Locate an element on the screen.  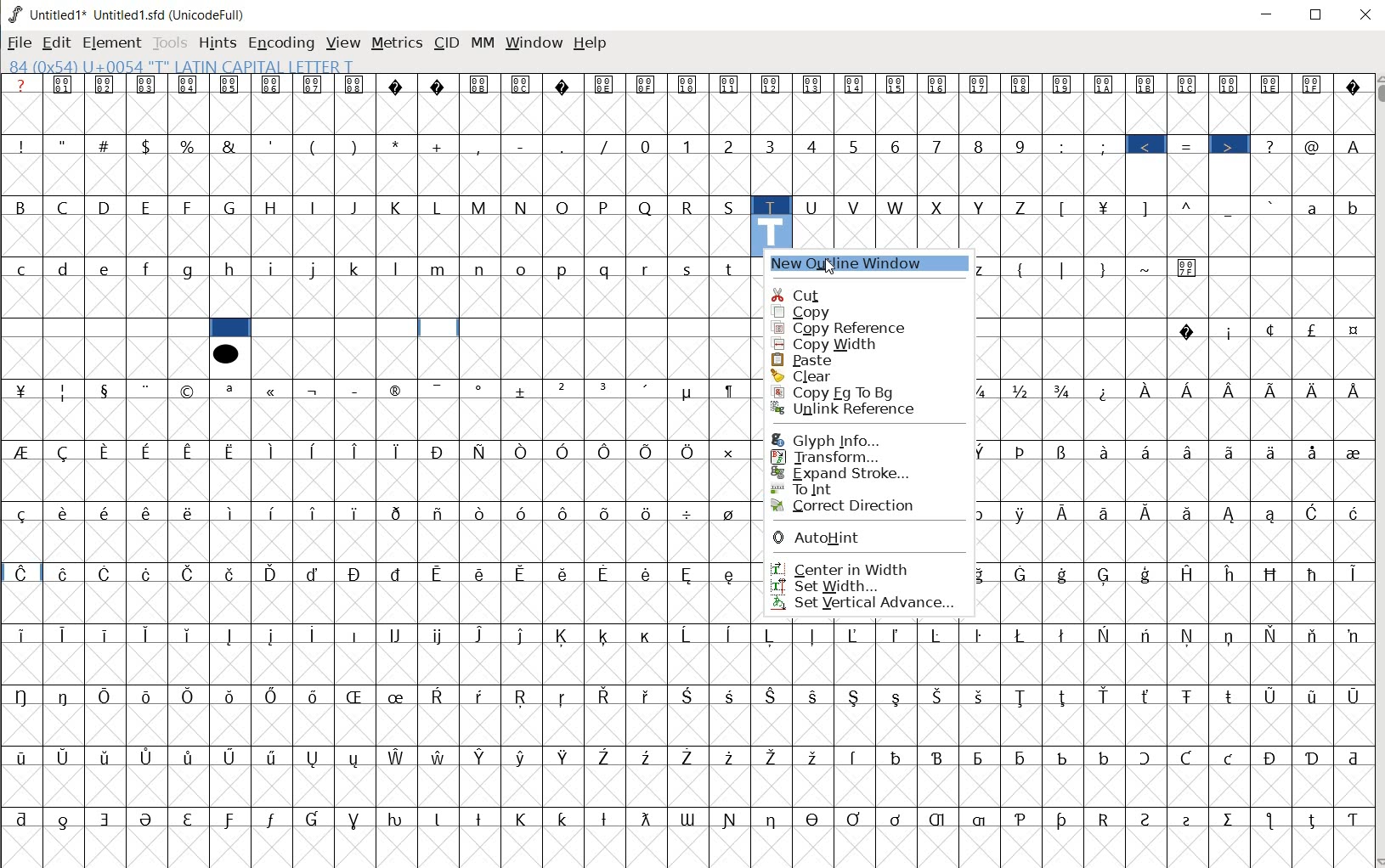
Symbol is located at coordinates (1150, 573).